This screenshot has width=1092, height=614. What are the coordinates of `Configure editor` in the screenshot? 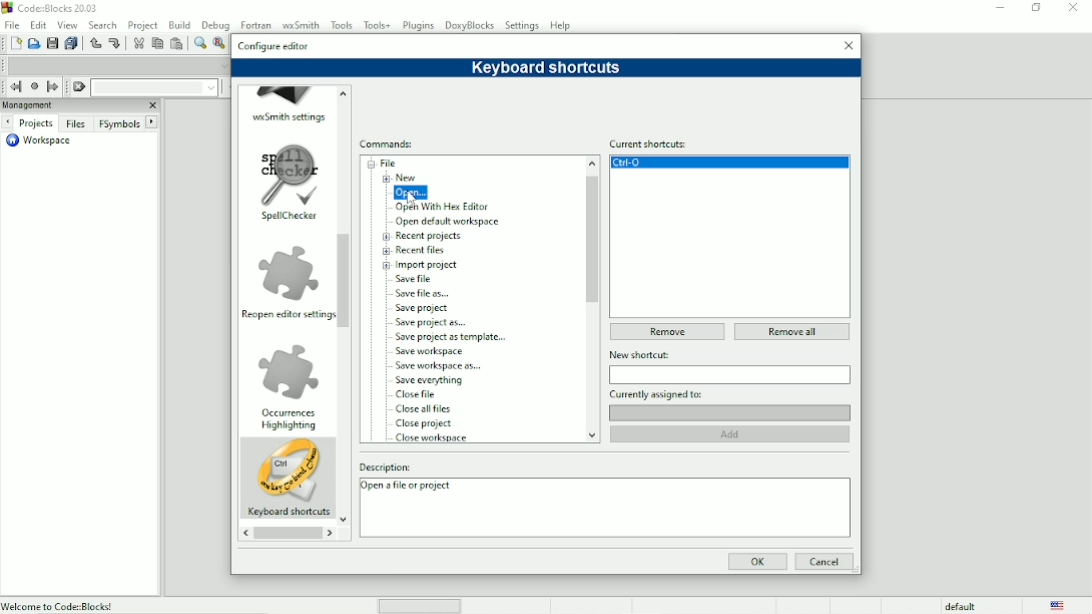 It's located at (274, 44).